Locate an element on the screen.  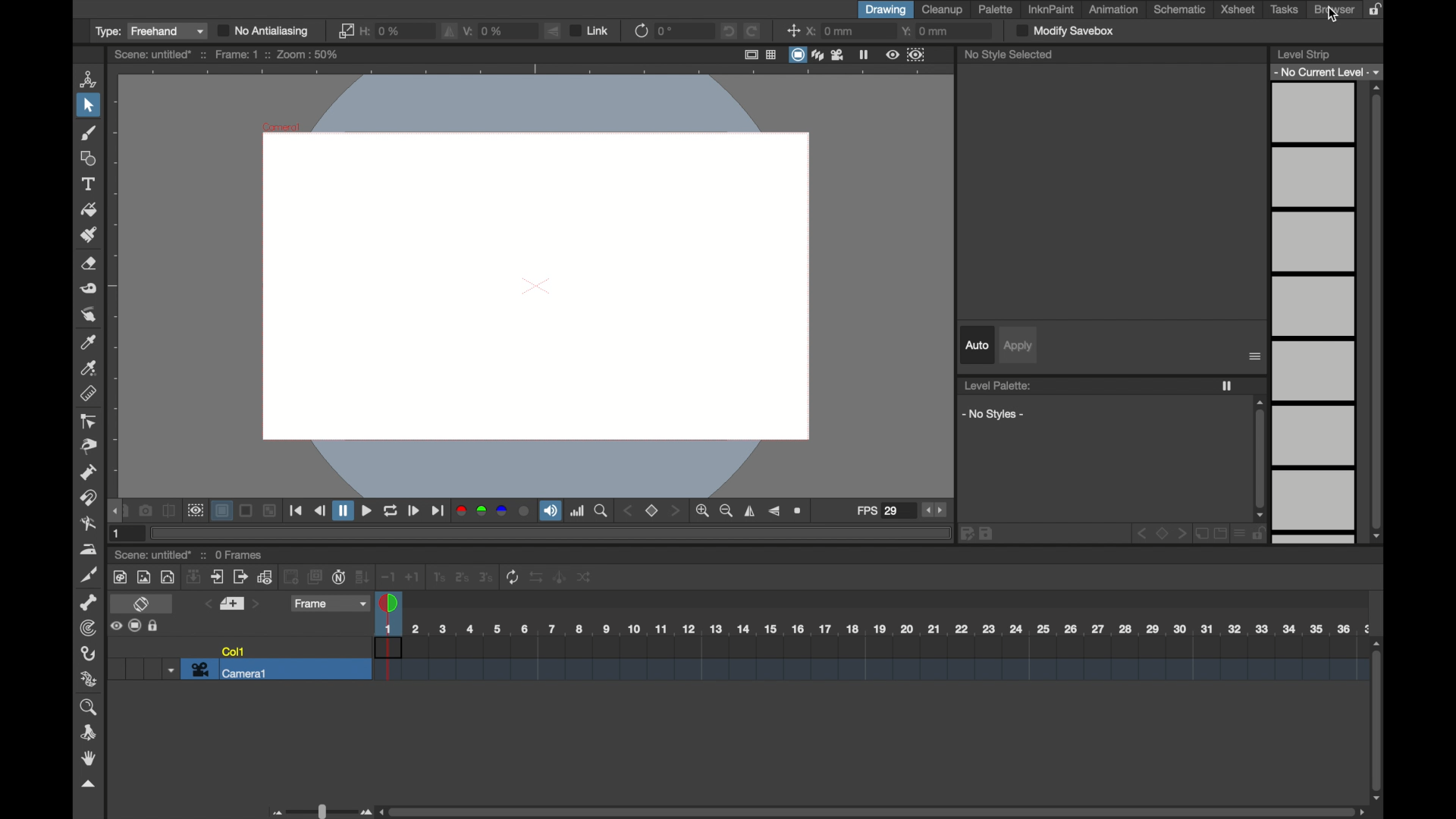
first frame is located at coordinates (296, 512).